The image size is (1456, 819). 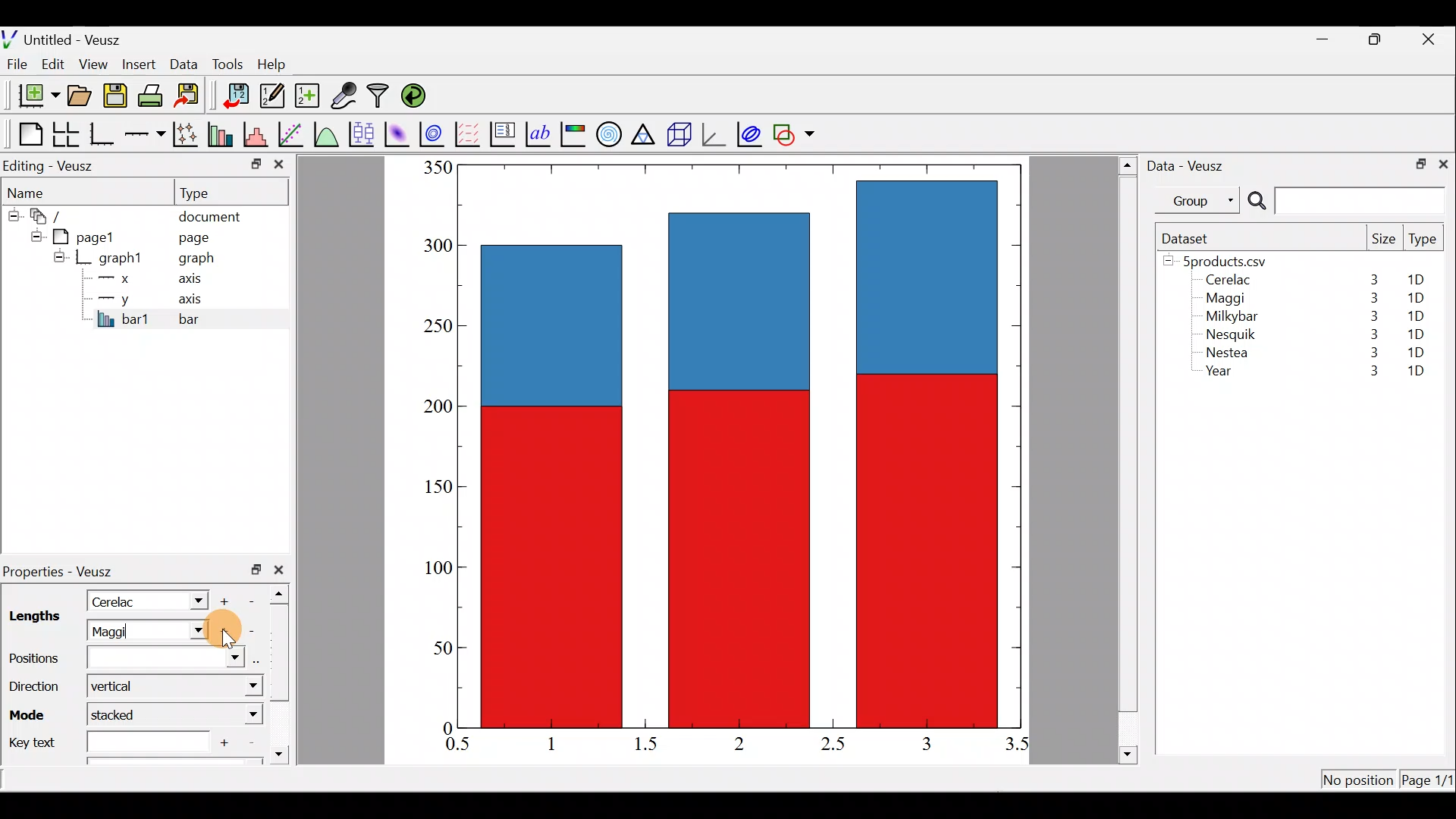 What do you see at coordinates (1424, 243) in the screenshot?
I see `Type` at bounding box center [1424, 243].